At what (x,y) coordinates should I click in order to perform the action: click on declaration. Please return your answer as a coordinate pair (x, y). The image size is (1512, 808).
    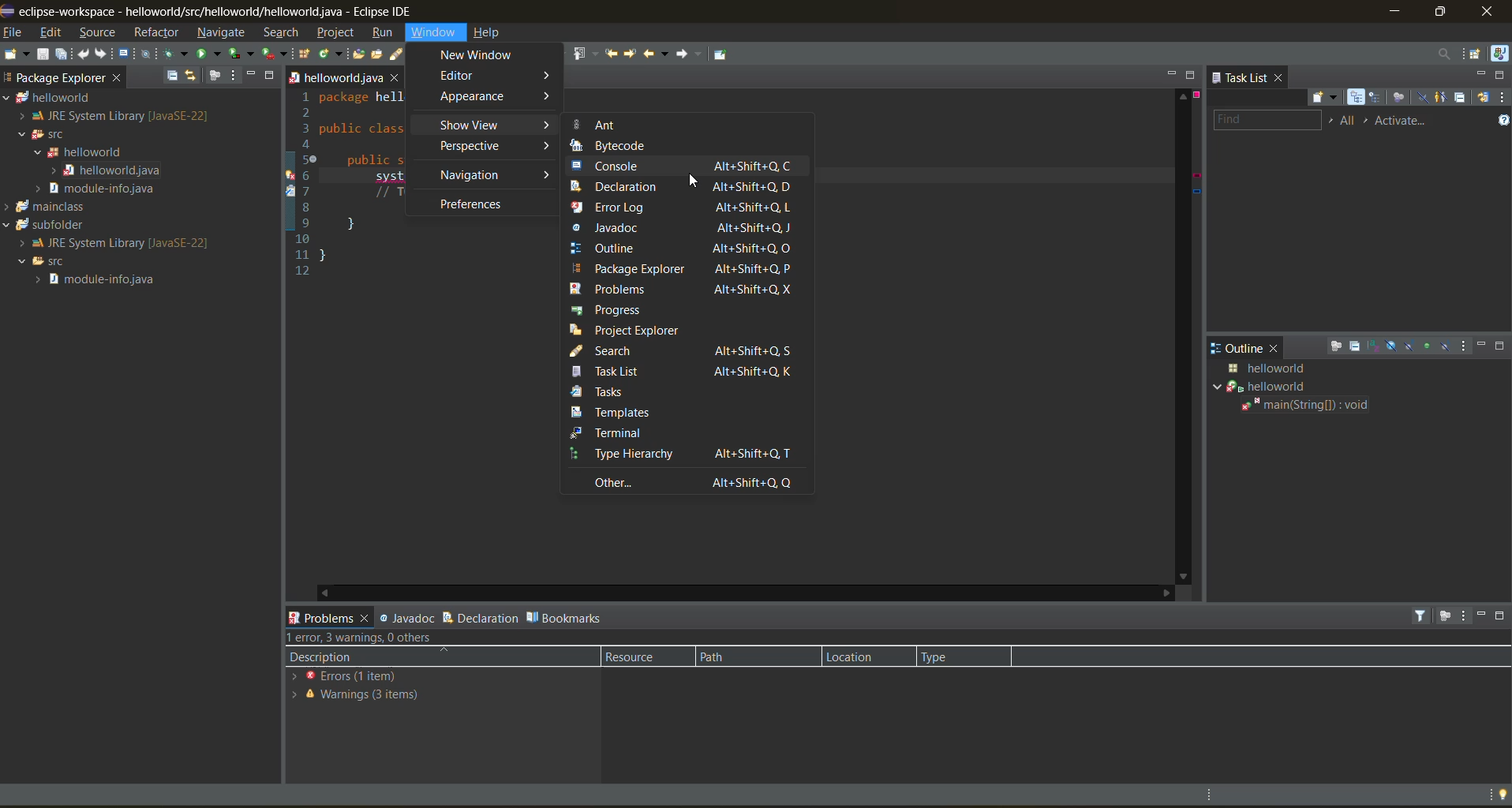
    Looking at the image, I should click on (485, 616).